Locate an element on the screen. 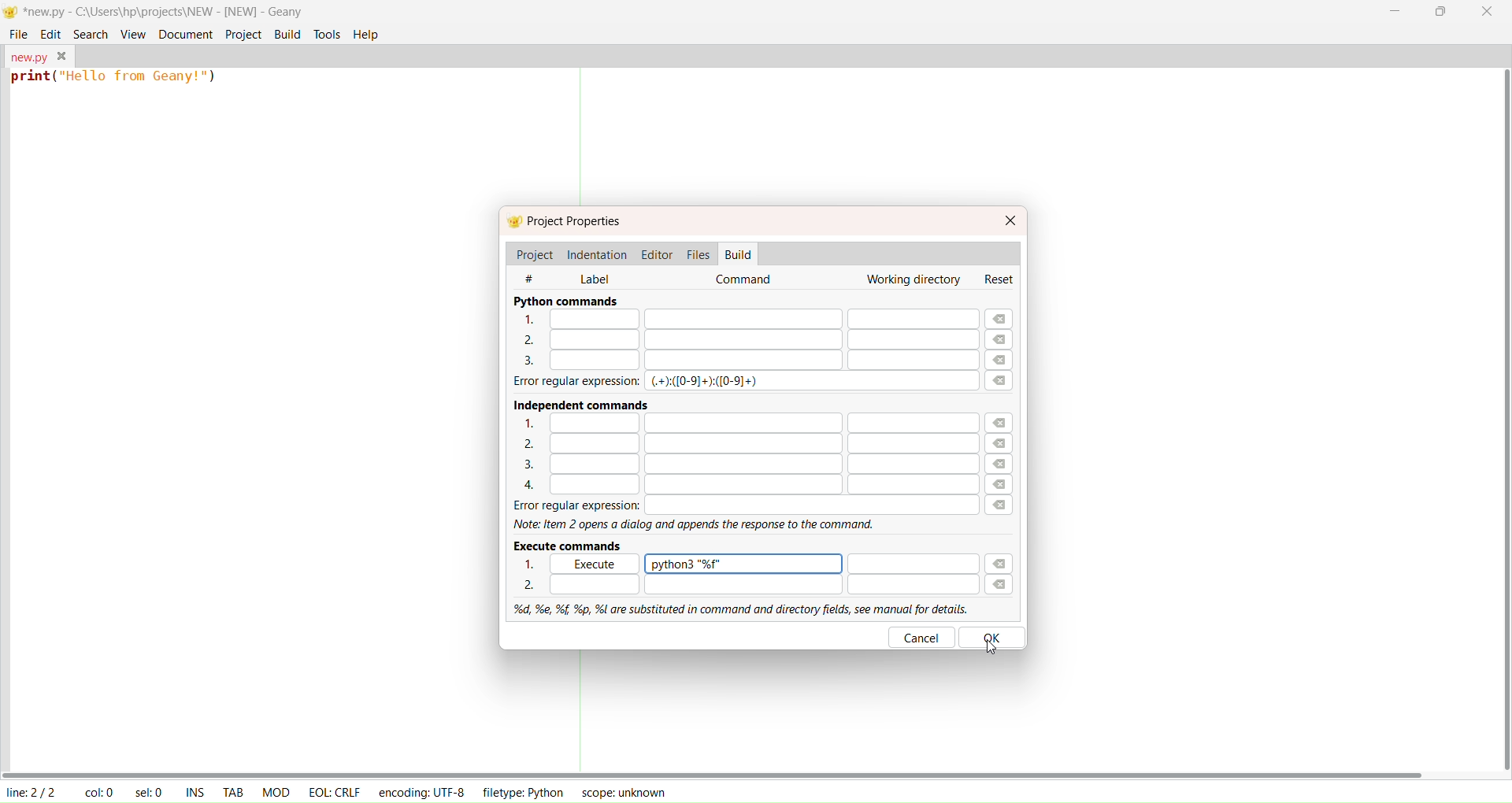 The image size is (1512, 803). python3 %f" is located at coordinates (745, 563).